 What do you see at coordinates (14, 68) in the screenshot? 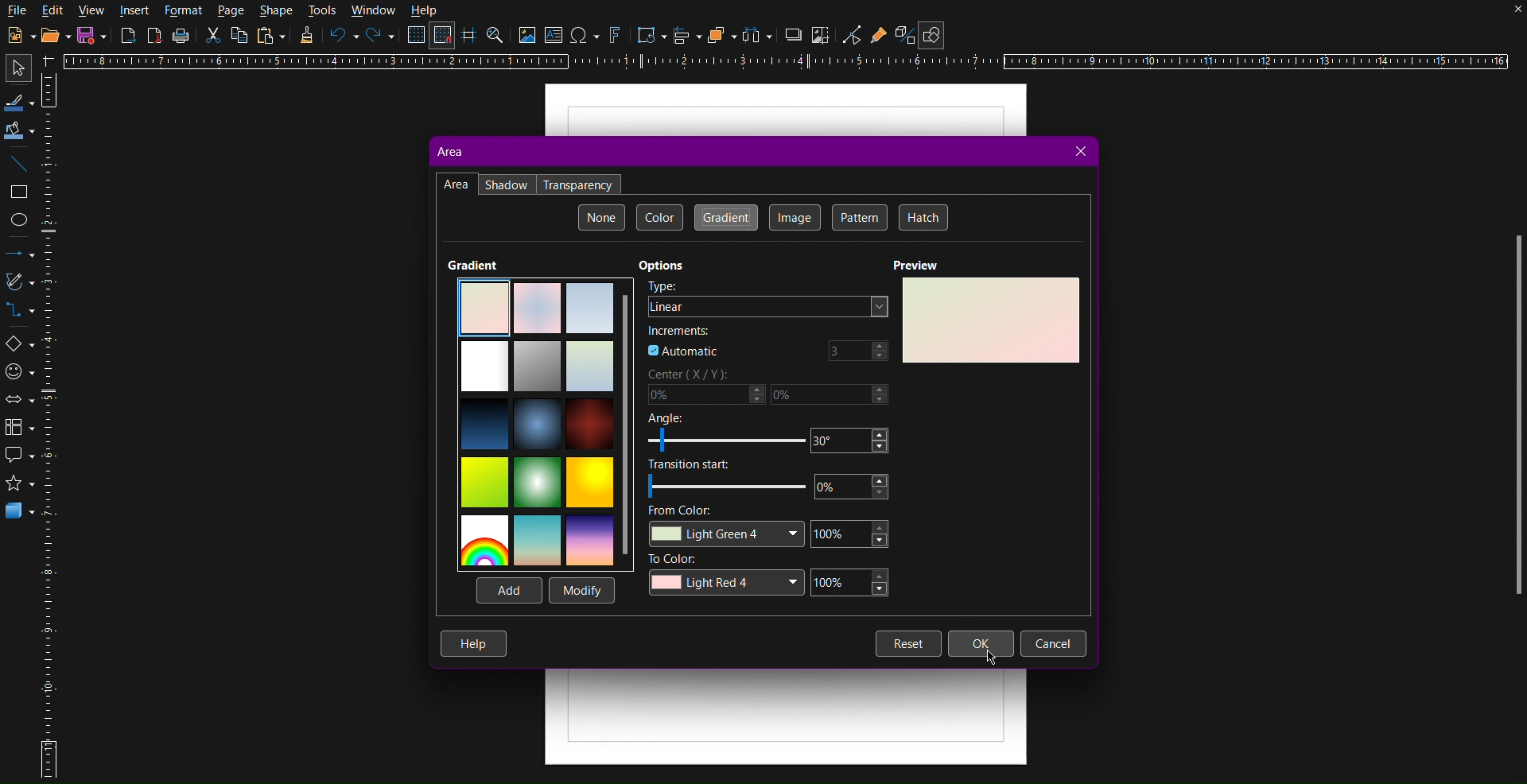
I see `Select` at bounding box center [14, 68].